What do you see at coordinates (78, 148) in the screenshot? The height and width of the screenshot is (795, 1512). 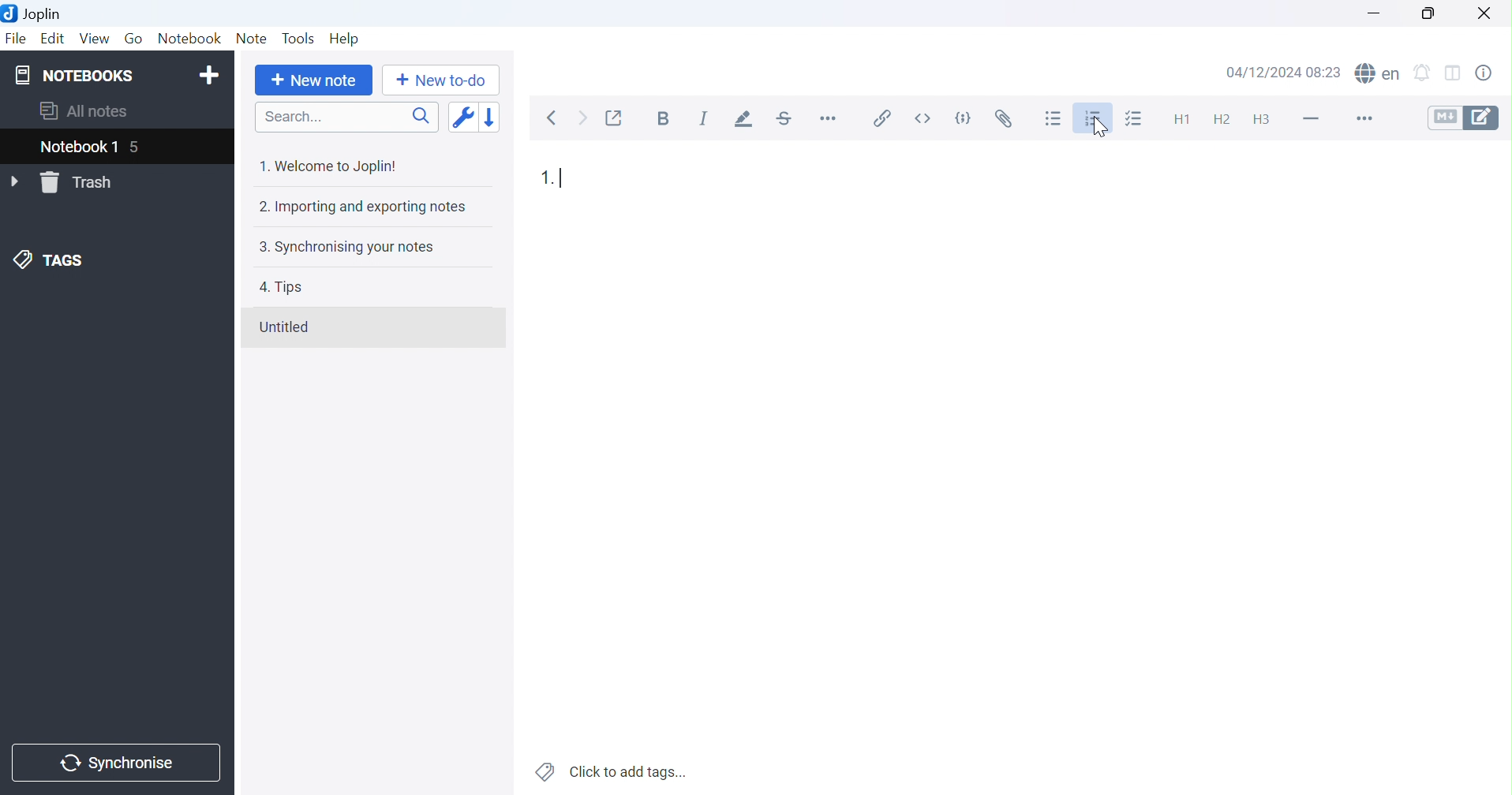 I see `Notebook 1` at bounding box center [78, 148].